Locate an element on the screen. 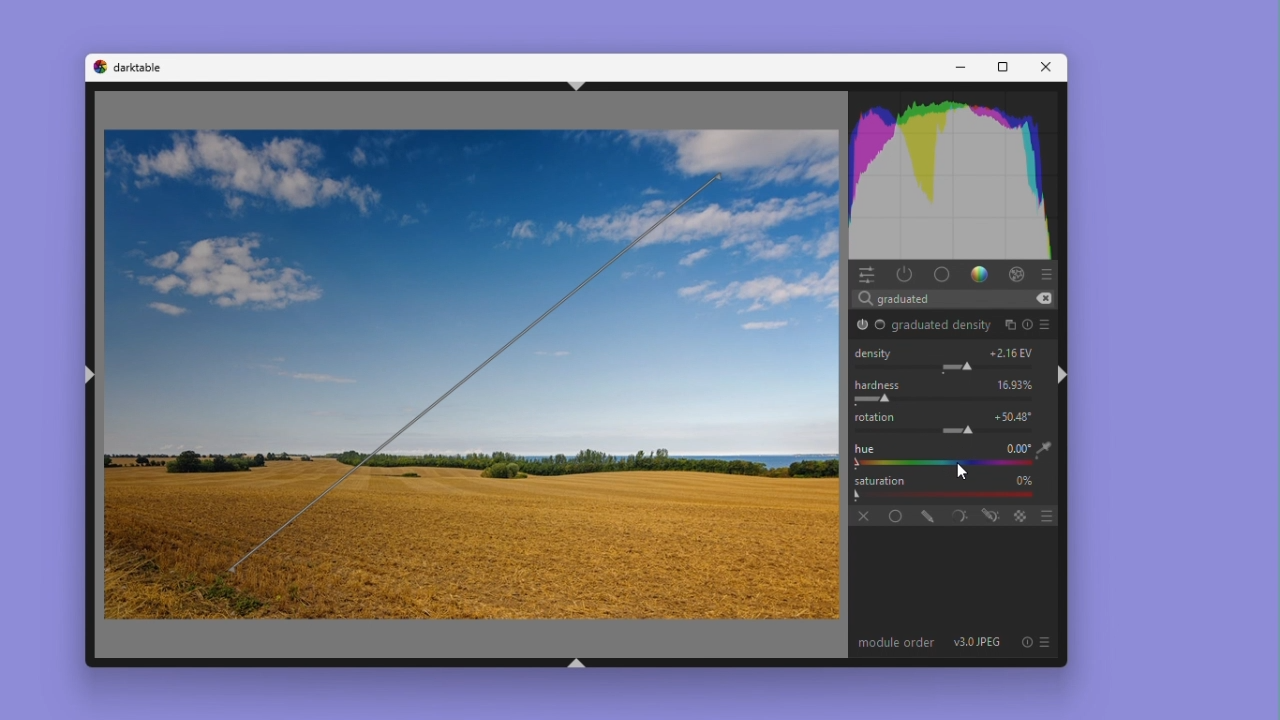 This screenshot has height=720, width=1280. darktable logo is located at coordinates (98, 67).